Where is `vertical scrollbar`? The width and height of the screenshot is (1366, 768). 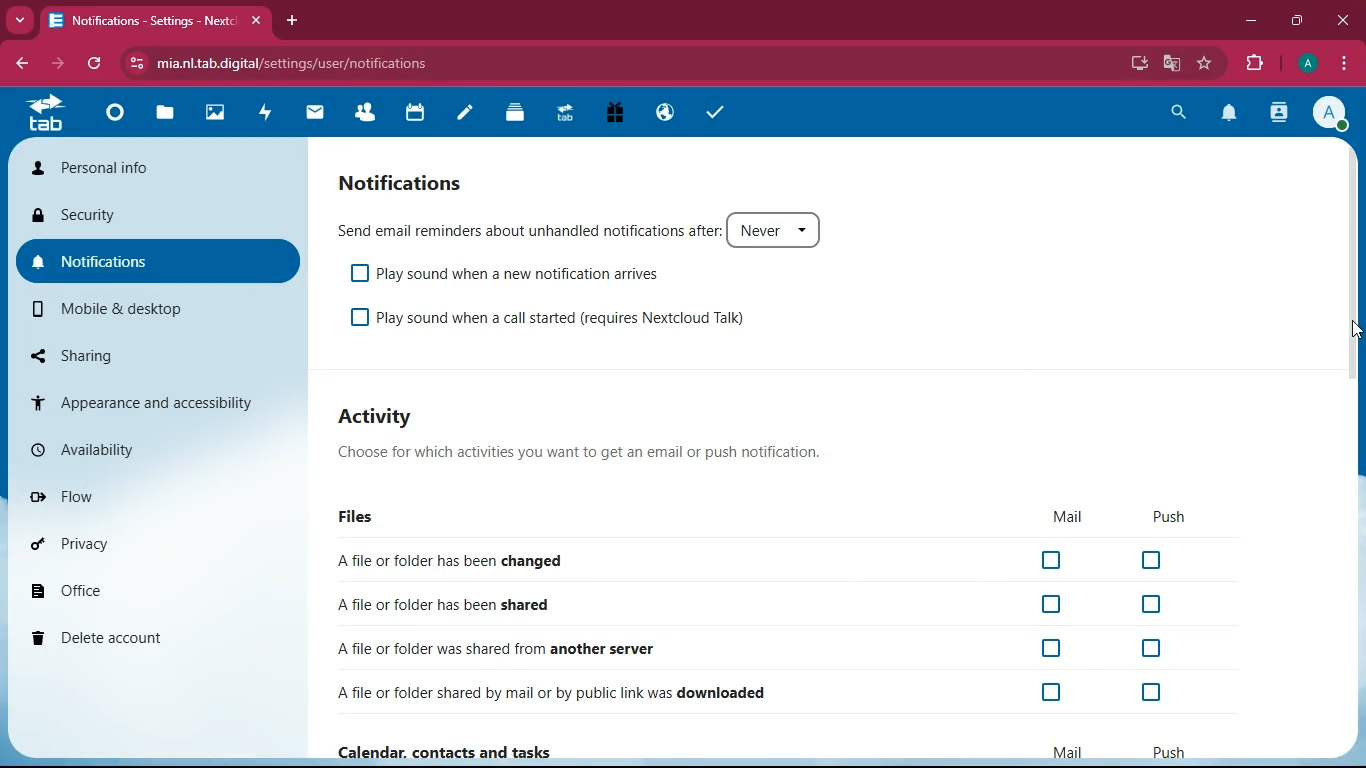 vertical scrollbar is located at coordinates (1355, 263).